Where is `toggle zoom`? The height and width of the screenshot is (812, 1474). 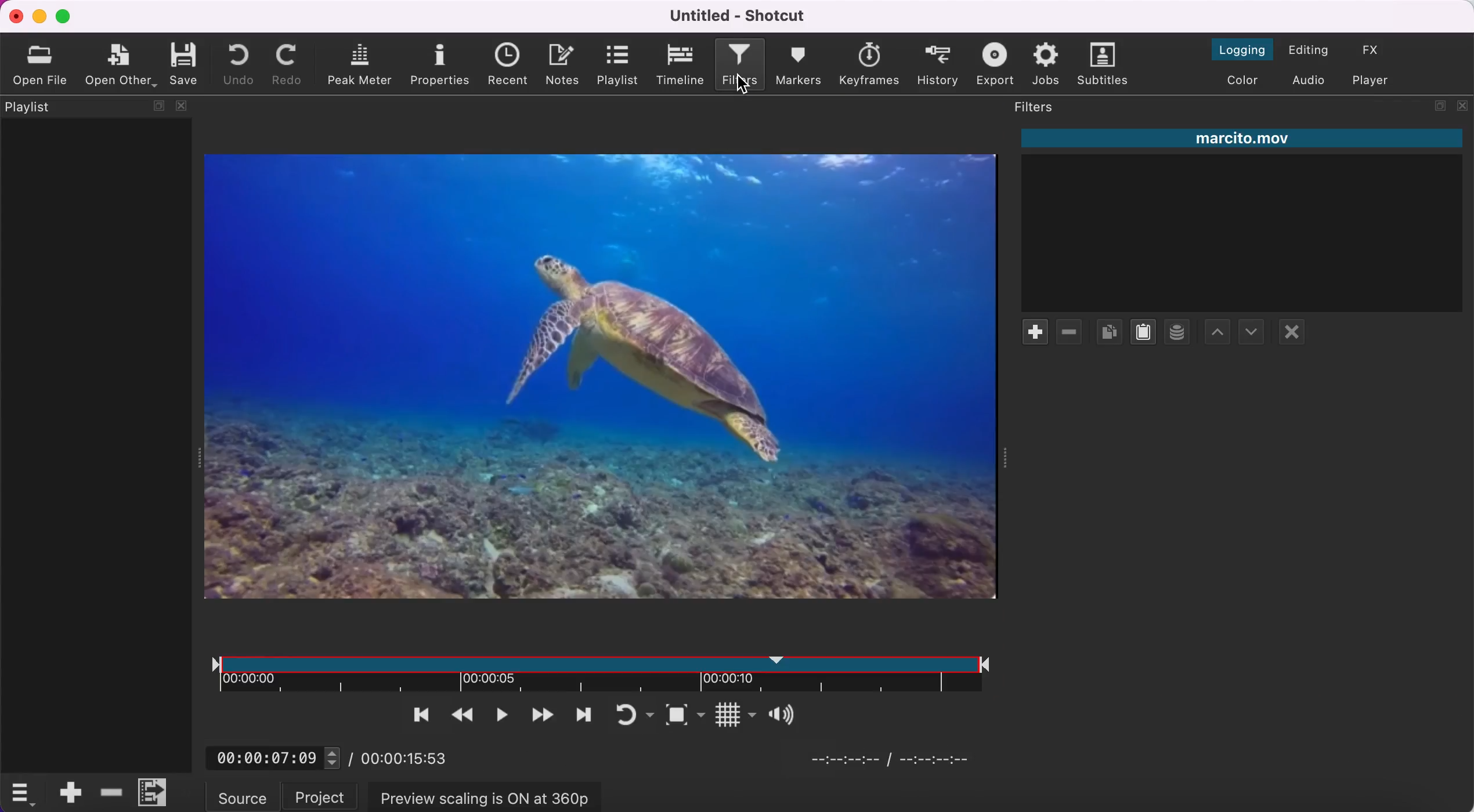
toggle zoom is located at coordinates (663, 715).